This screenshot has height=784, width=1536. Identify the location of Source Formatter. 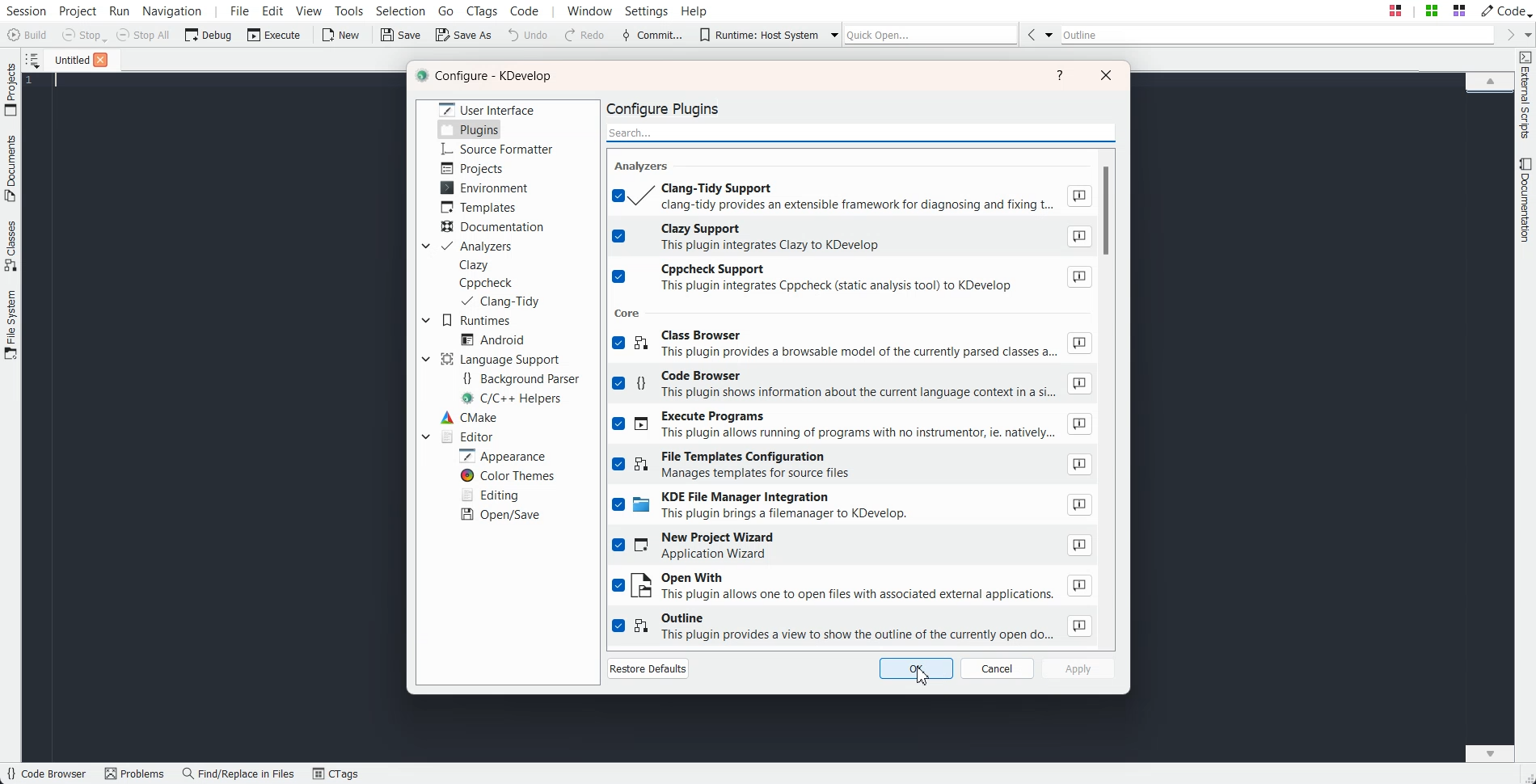
(496, 150).